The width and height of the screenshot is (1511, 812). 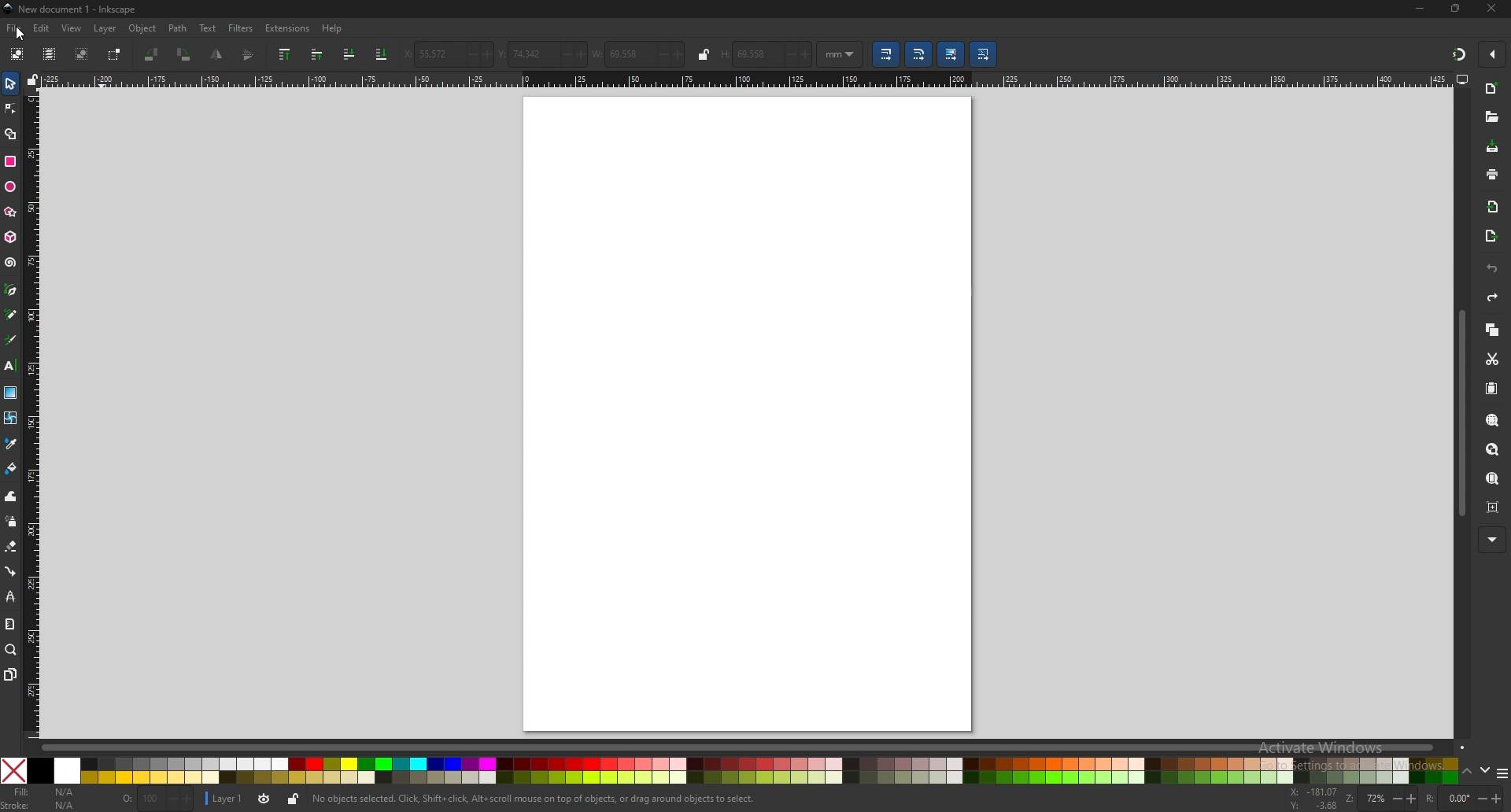 I want to click on nothing selected, so click(x=157, y=799).